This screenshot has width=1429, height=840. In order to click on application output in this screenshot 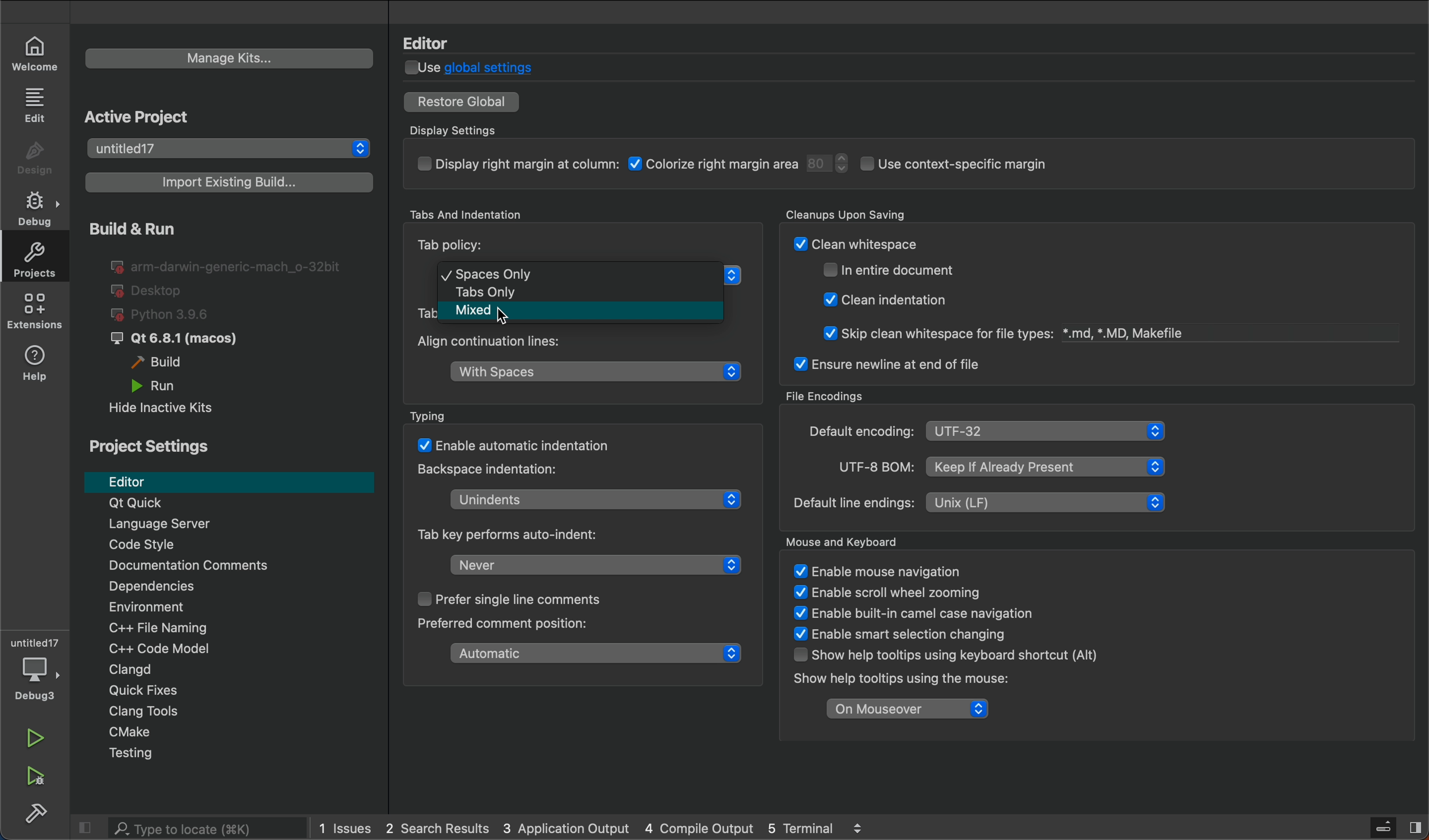, I will do `click(566, 829)`.